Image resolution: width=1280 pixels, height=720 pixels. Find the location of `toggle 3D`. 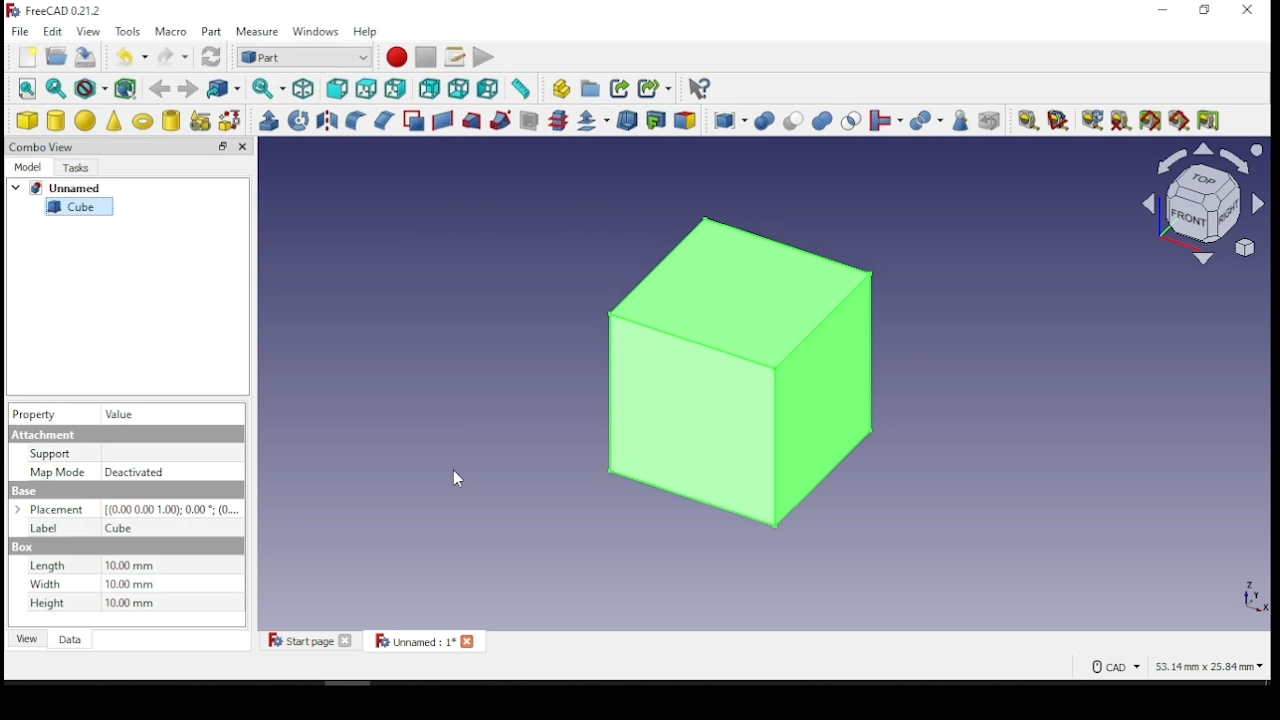

toggle 3D is located at coordinates (1181, 121).